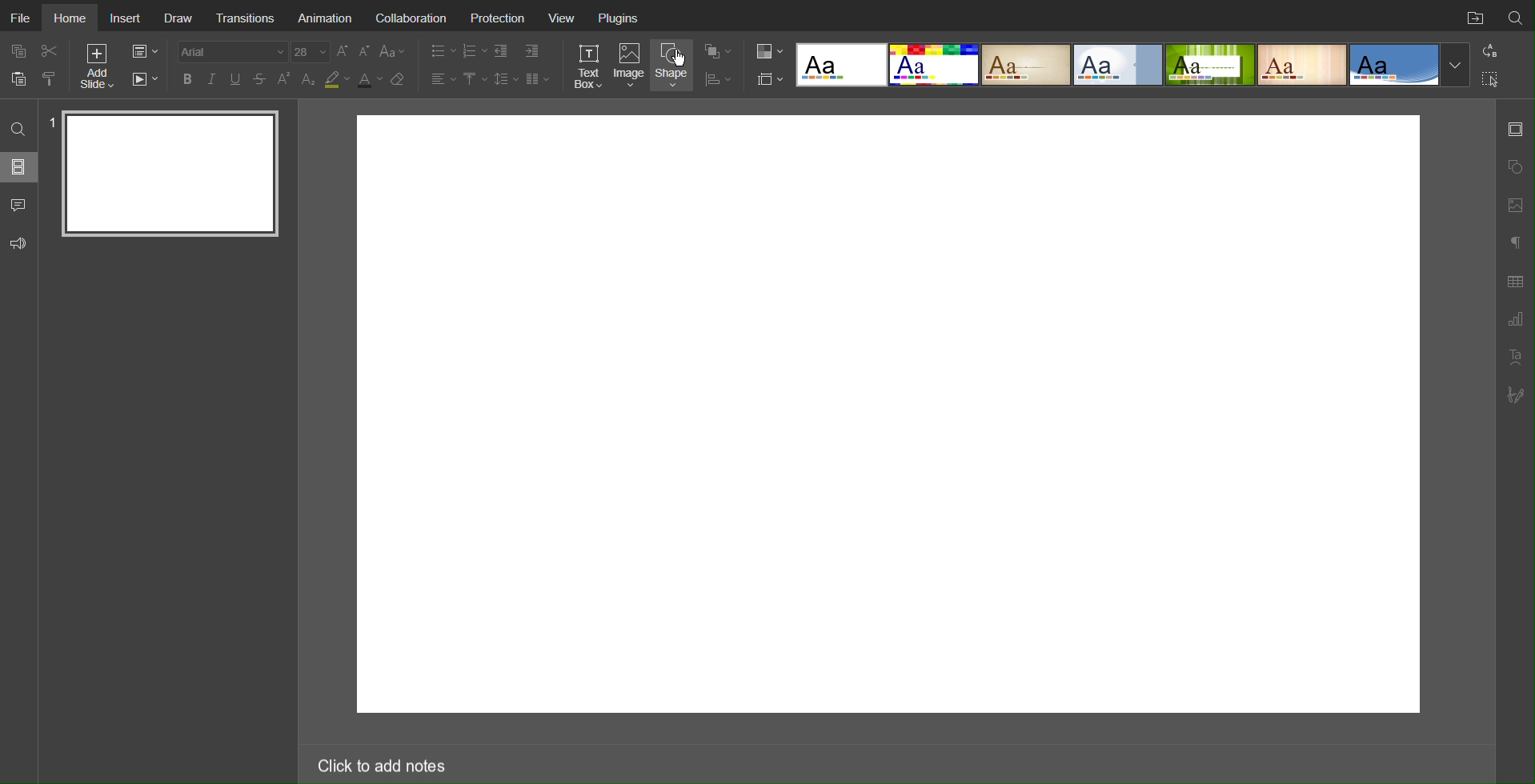 The image size is (1535, 784). What do you see at coordinates (442, 78) in the screenshot?
I see `Alignment` at bounding box center [442, 78].